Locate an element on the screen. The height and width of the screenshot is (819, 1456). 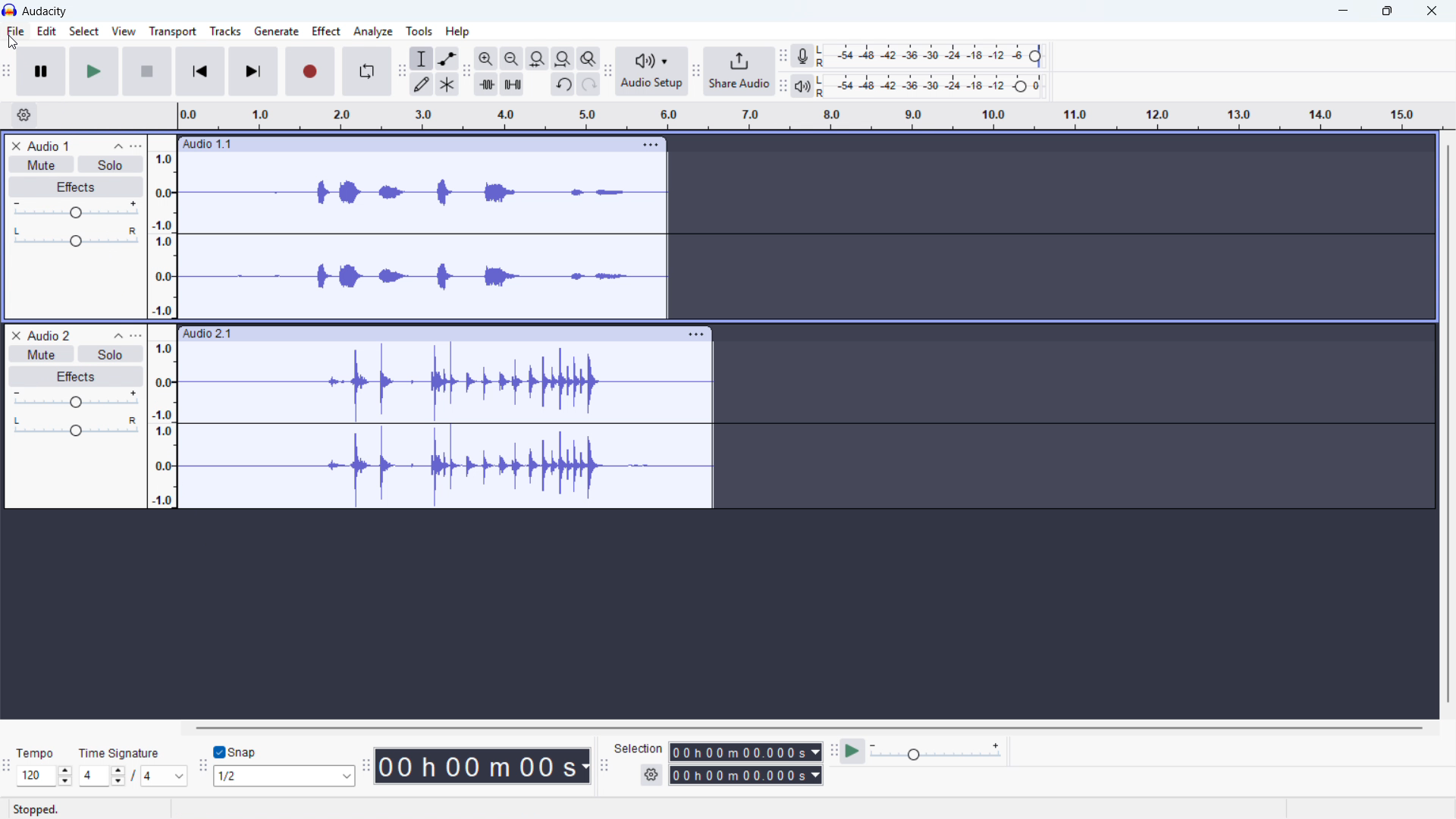
Draw tool  is located at coordinates (422, 84).